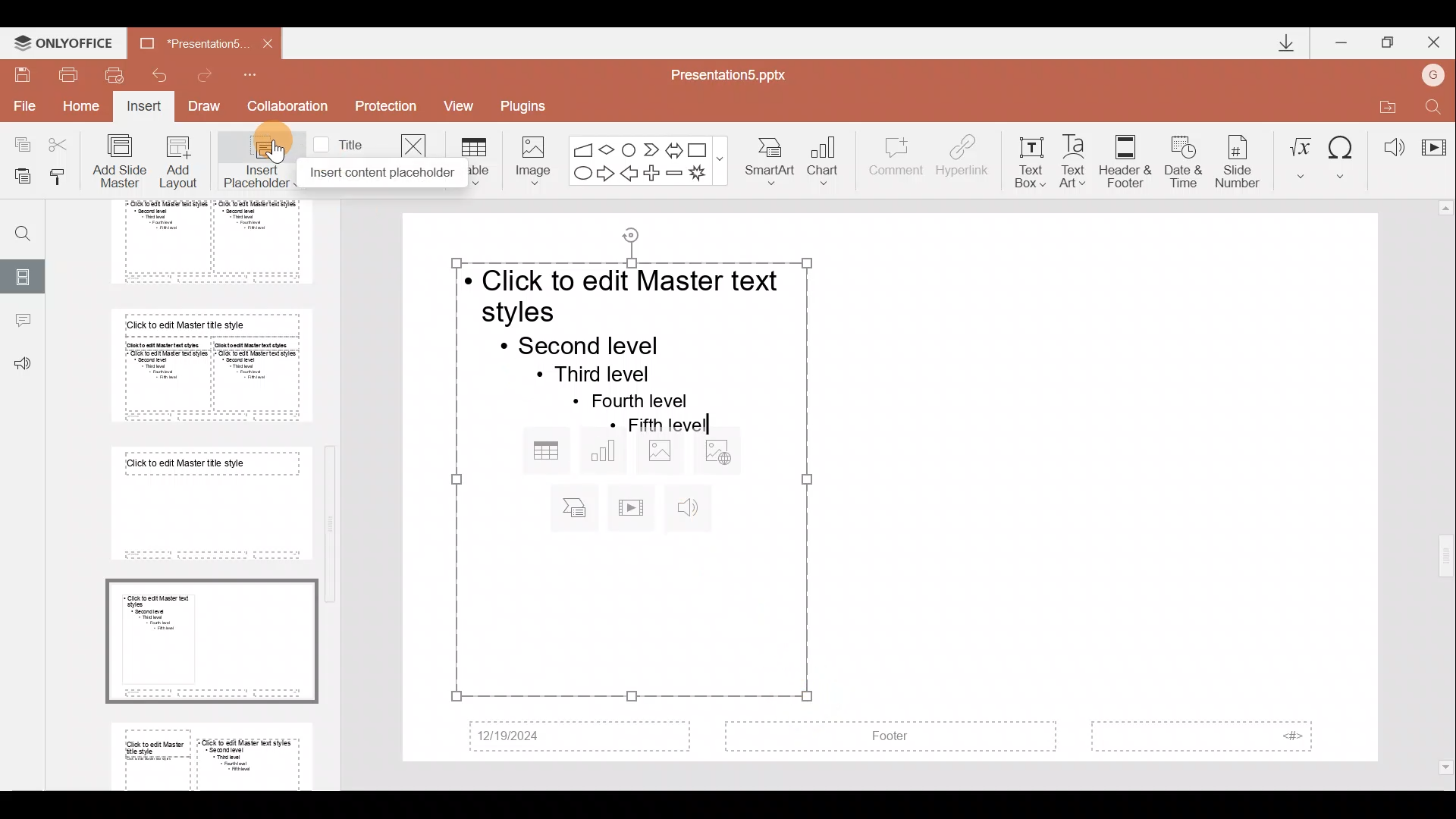 The width and height of the screenshot is (1456, 819). What do you see at coordinates (609, 149) in the screenshot?
I see `Flow chart-decision` at bounding box center [609, 149].